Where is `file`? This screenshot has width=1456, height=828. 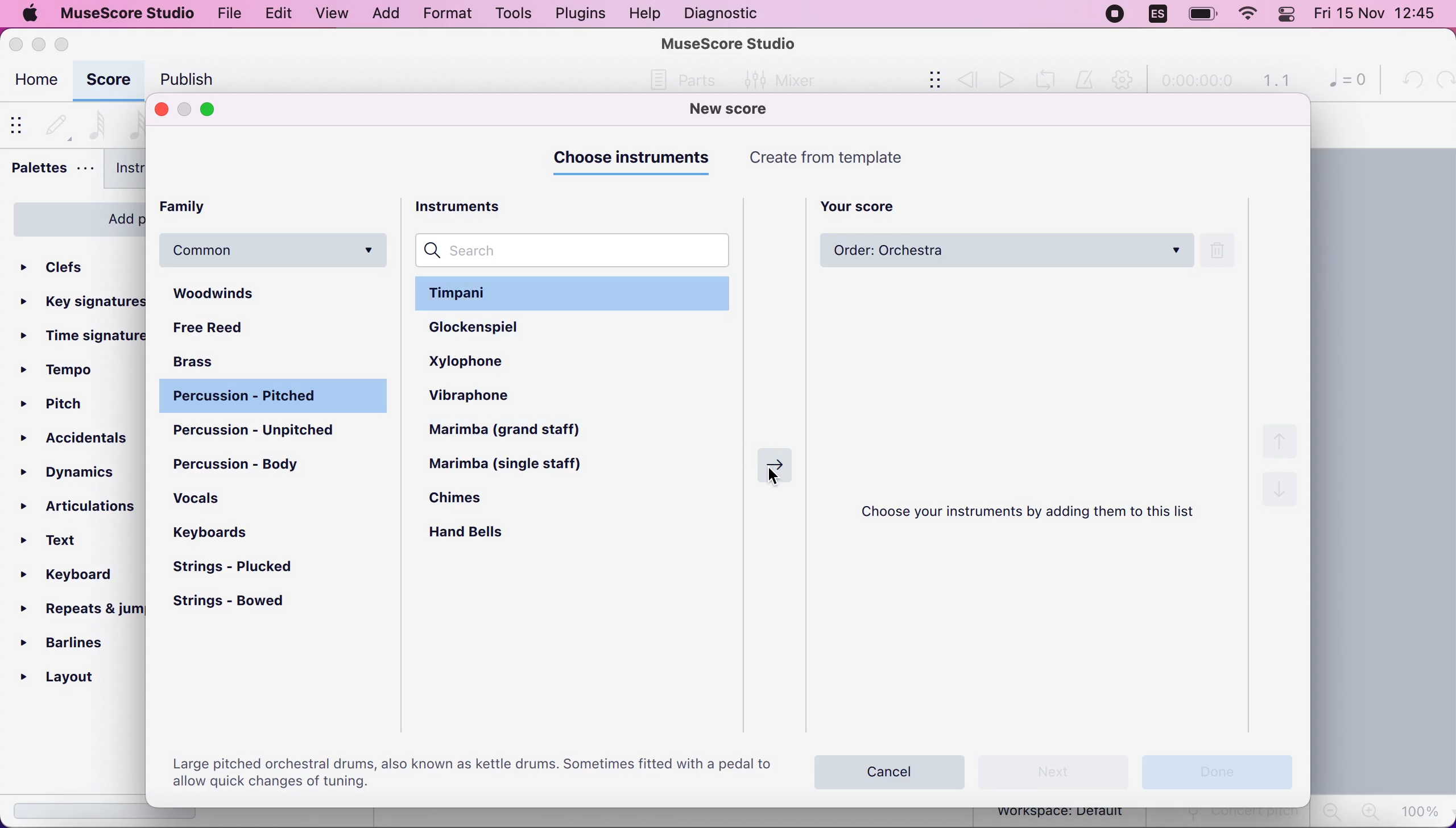 file is located at coordinates (230, 15).